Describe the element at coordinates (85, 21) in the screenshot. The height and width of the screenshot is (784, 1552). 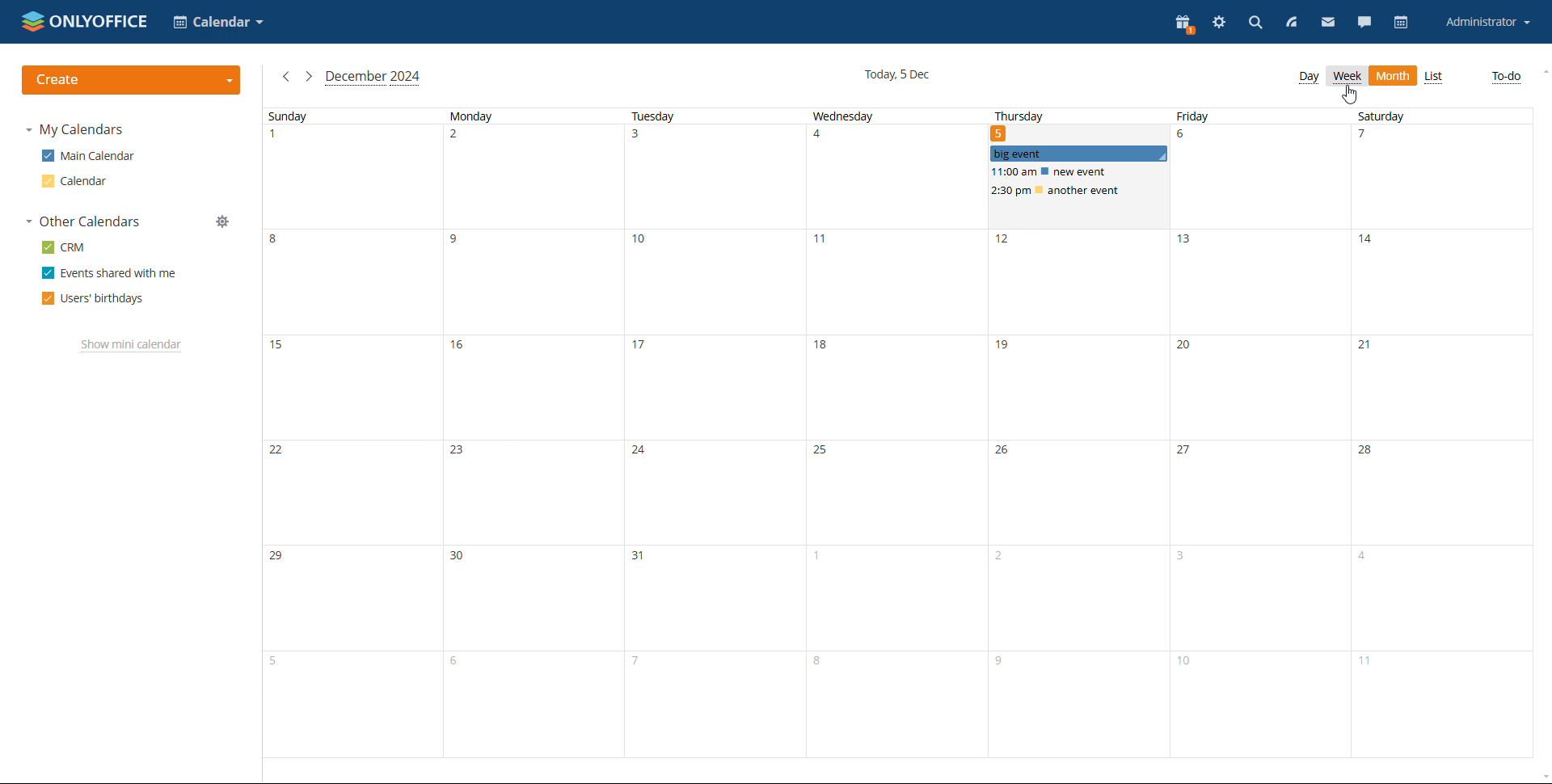
I see `logo` at that location.